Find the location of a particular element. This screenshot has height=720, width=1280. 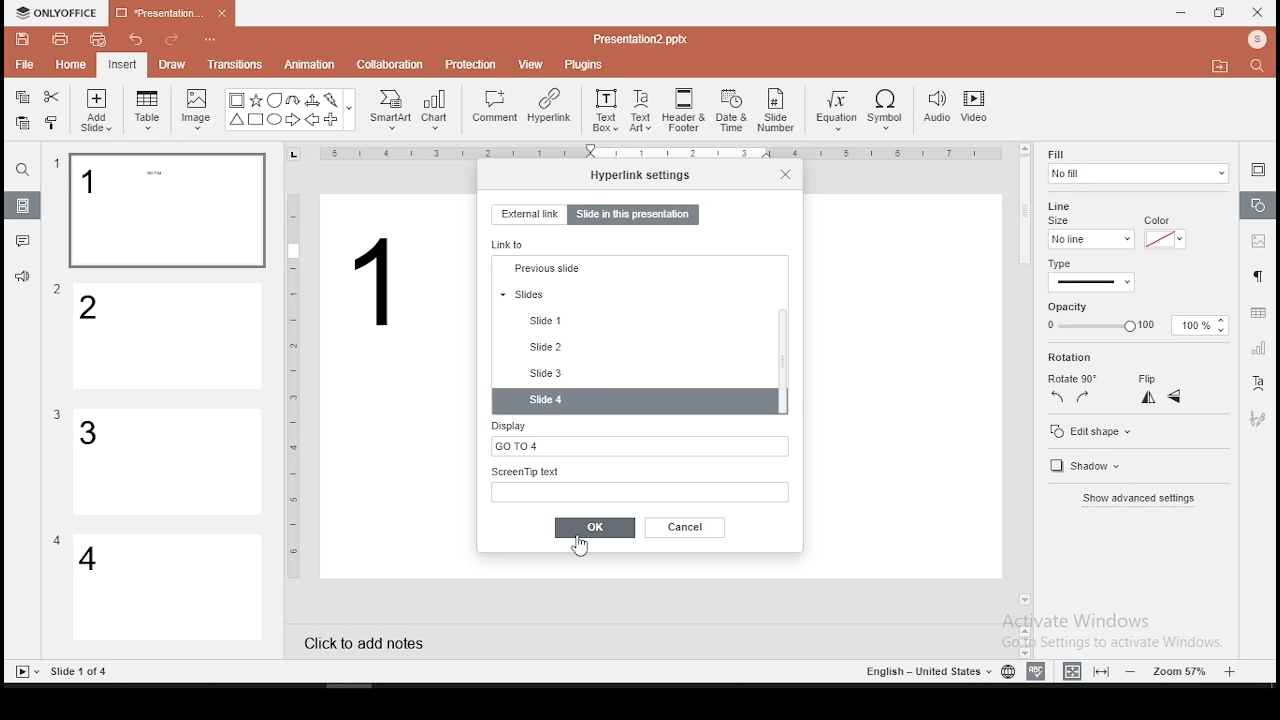

rotate 90 counterclockwise is located at coordinates (1058, 396).